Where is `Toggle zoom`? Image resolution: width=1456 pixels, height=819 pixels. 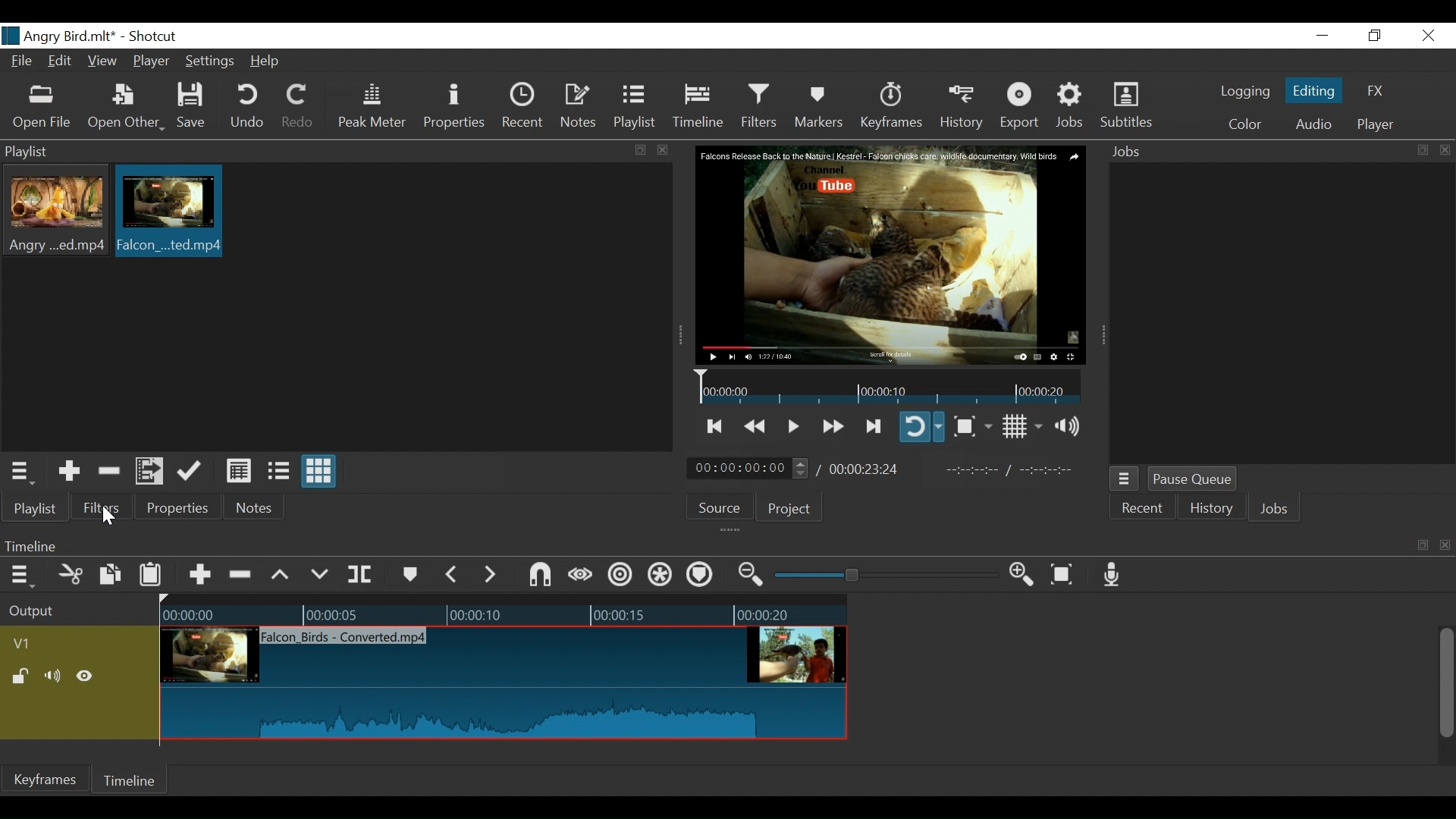
Toggle zoom is located at coordinates (972, 426).